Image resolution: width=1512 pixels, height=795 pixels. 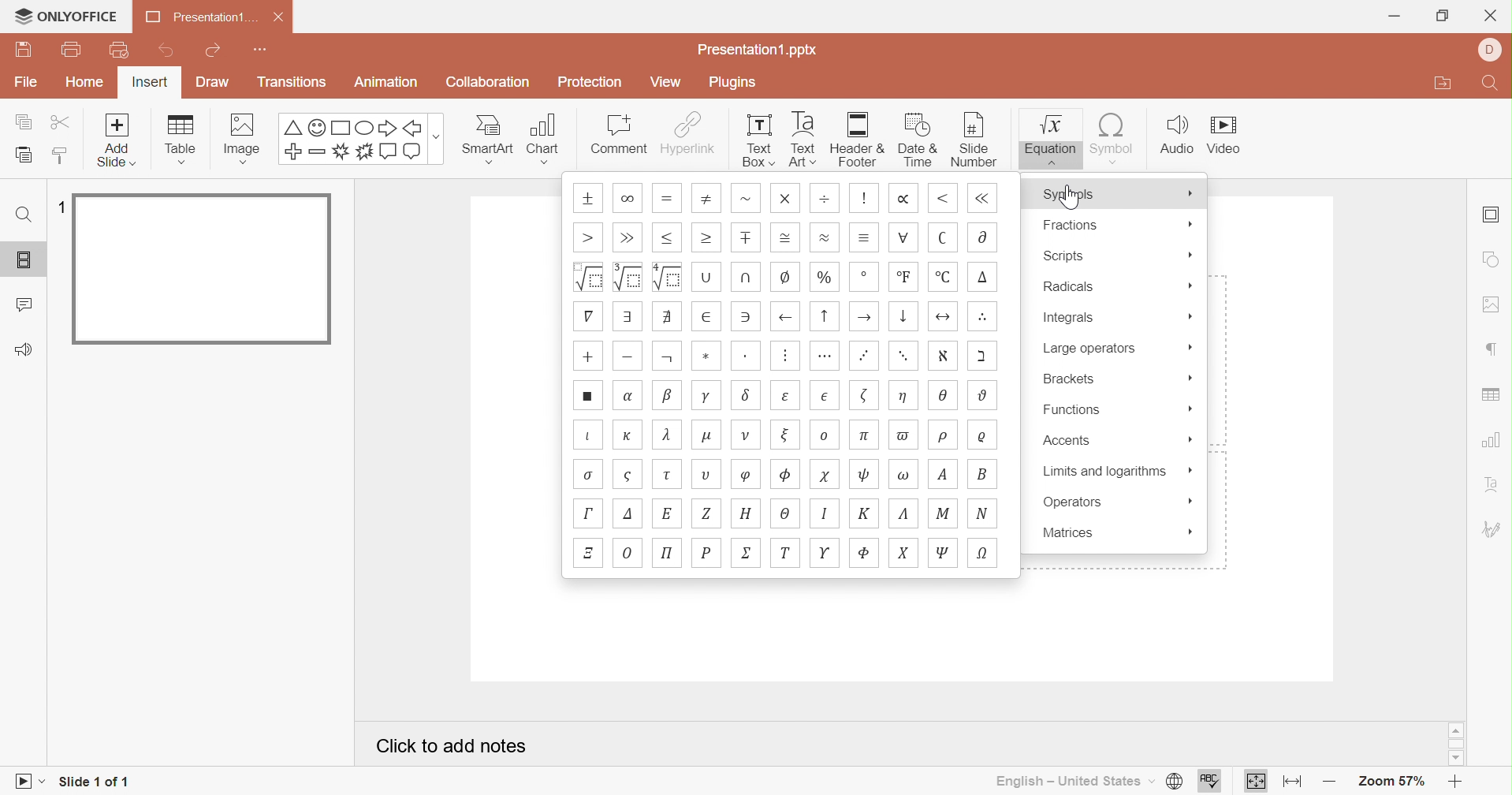 I want to click on Animation, so click(x=390, y=85).